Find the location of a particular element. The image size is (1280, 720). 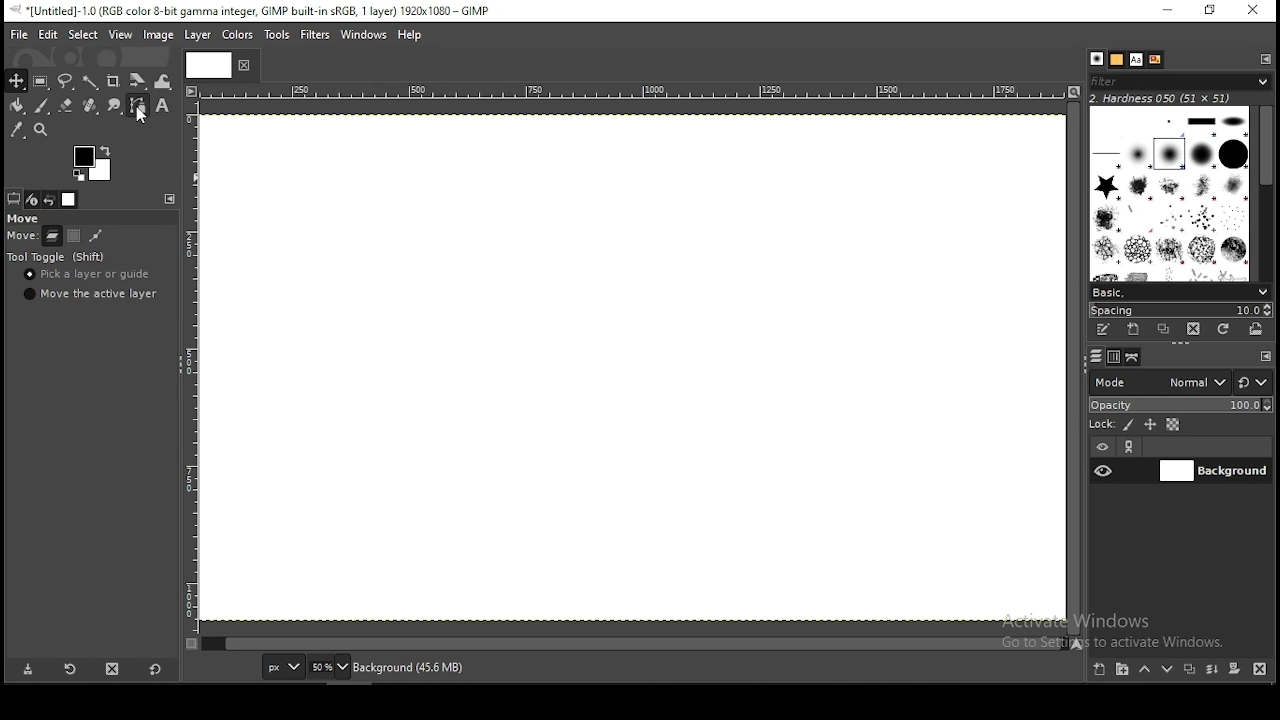

 text tool is located at coordinates (165, 108).